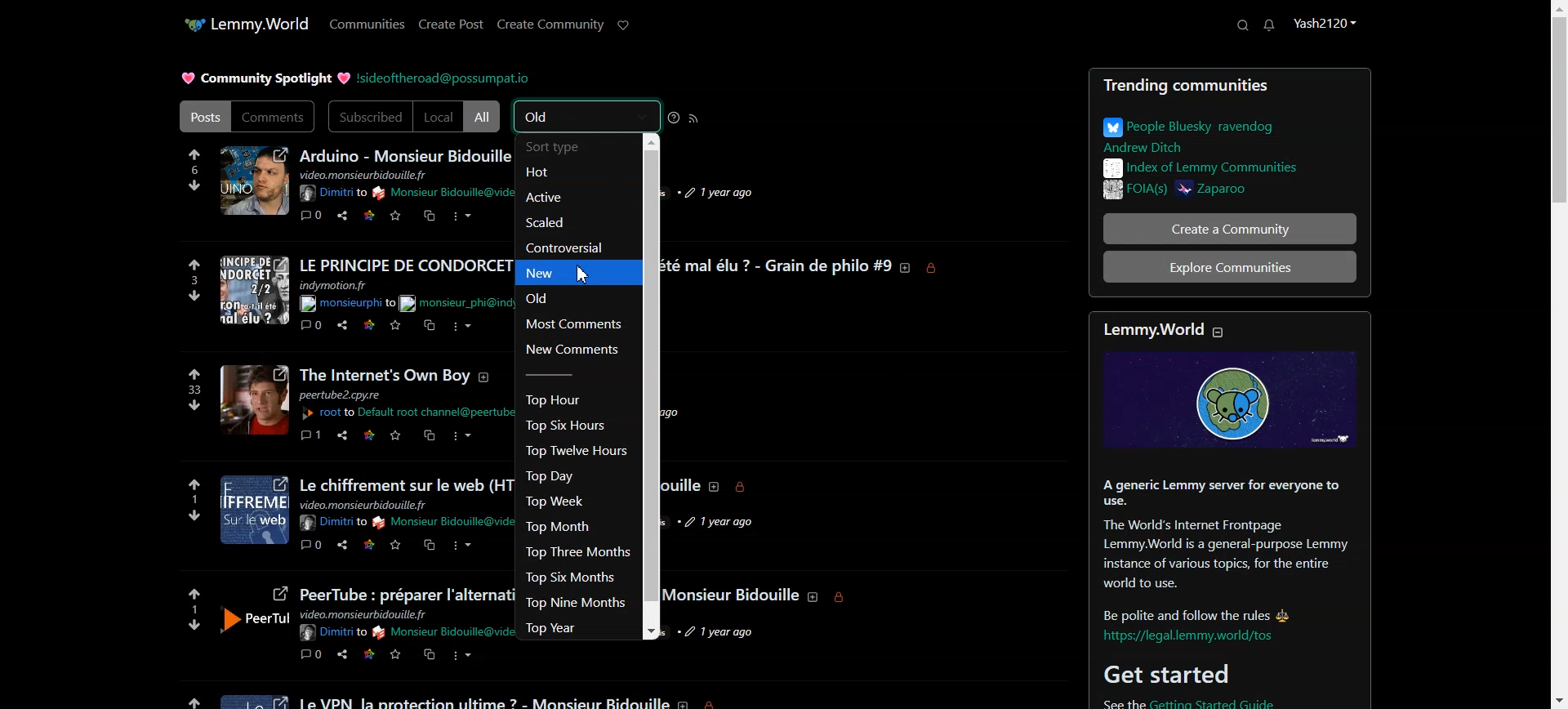 This screenshot has height=709, width=1568. I want to click on 33, so click(197, 389).